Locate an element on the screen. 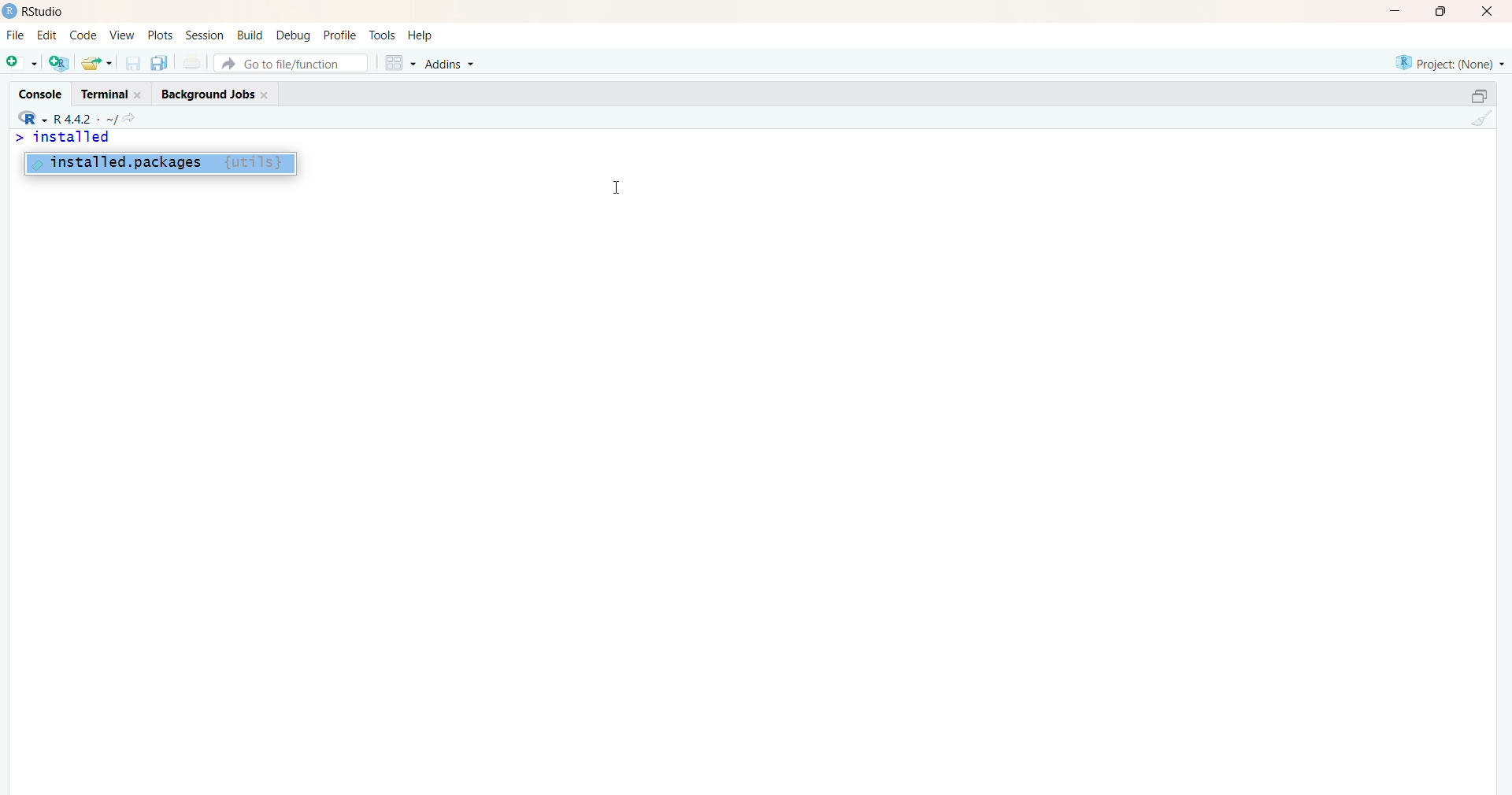 The width and height of the screenshot is (1512, 795). open an existing file is located at coordinates (98, 62).